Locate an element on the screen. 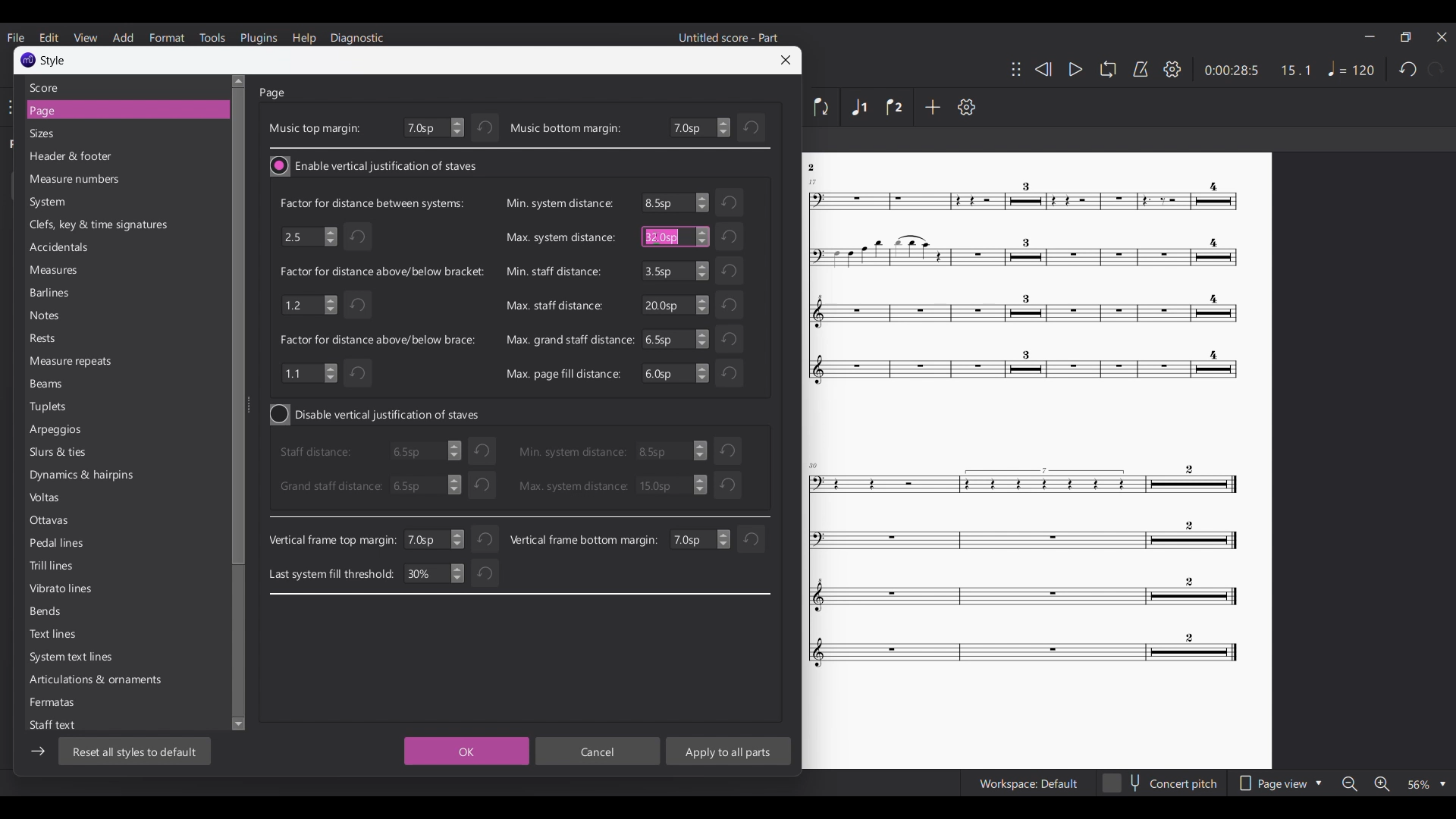 This screenshot has height=819, width=1456. staff distance is located at coordinates (319, 453).